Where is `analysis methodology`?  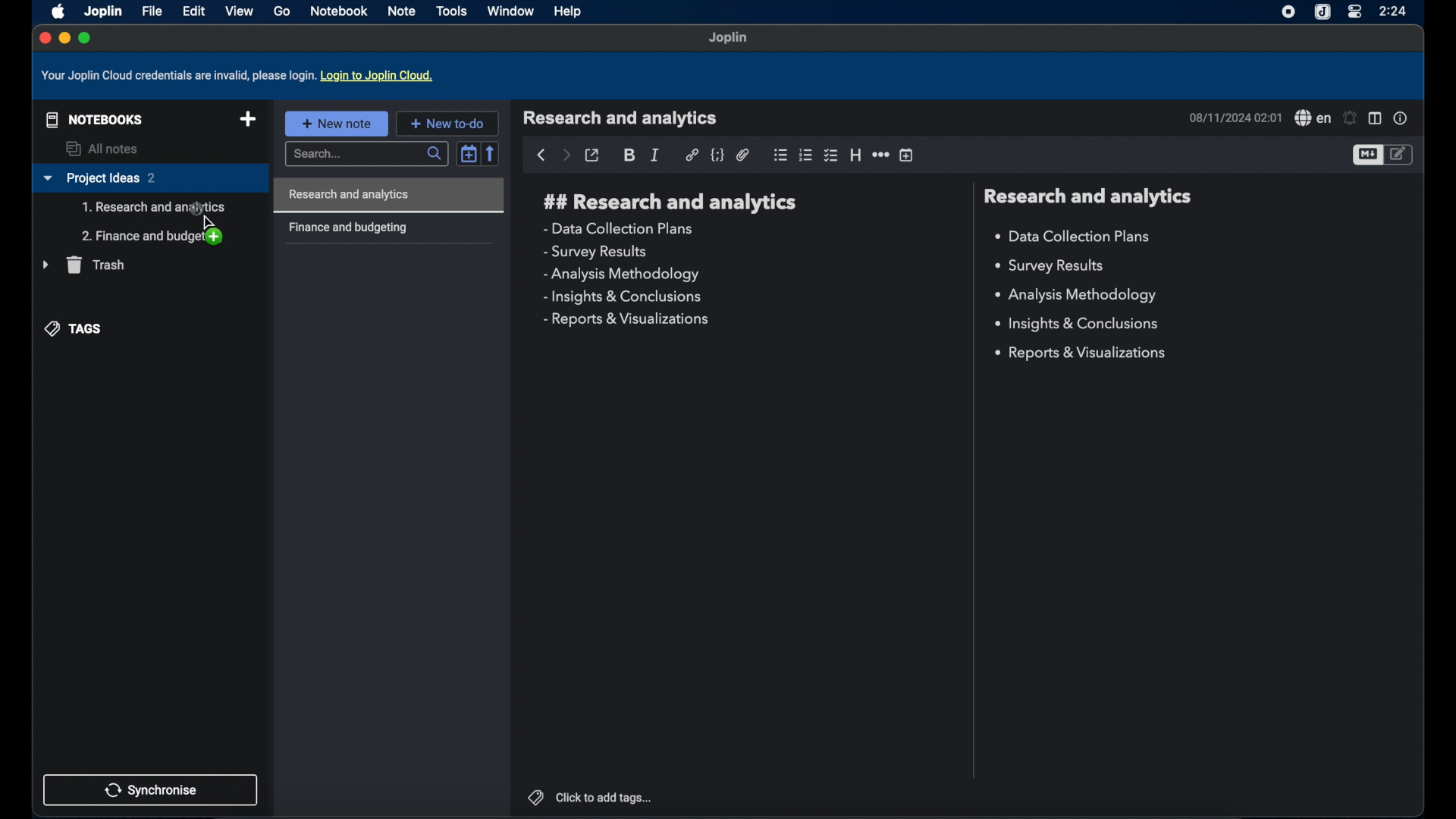 analysis methodology is located at coordinates (1075, 296).